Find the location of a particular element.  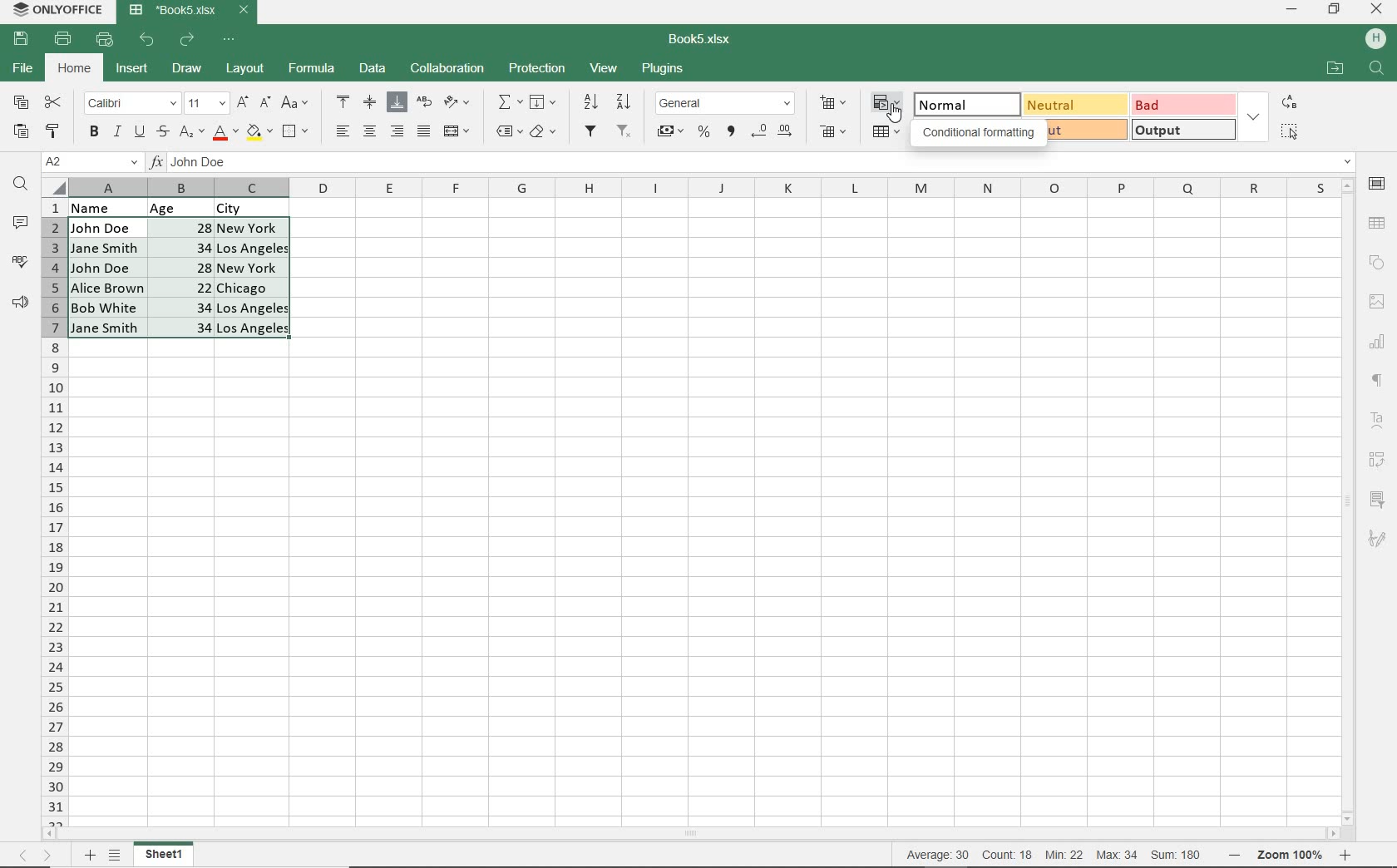

SPELL CHECKING is located at coordinates (20, 262).